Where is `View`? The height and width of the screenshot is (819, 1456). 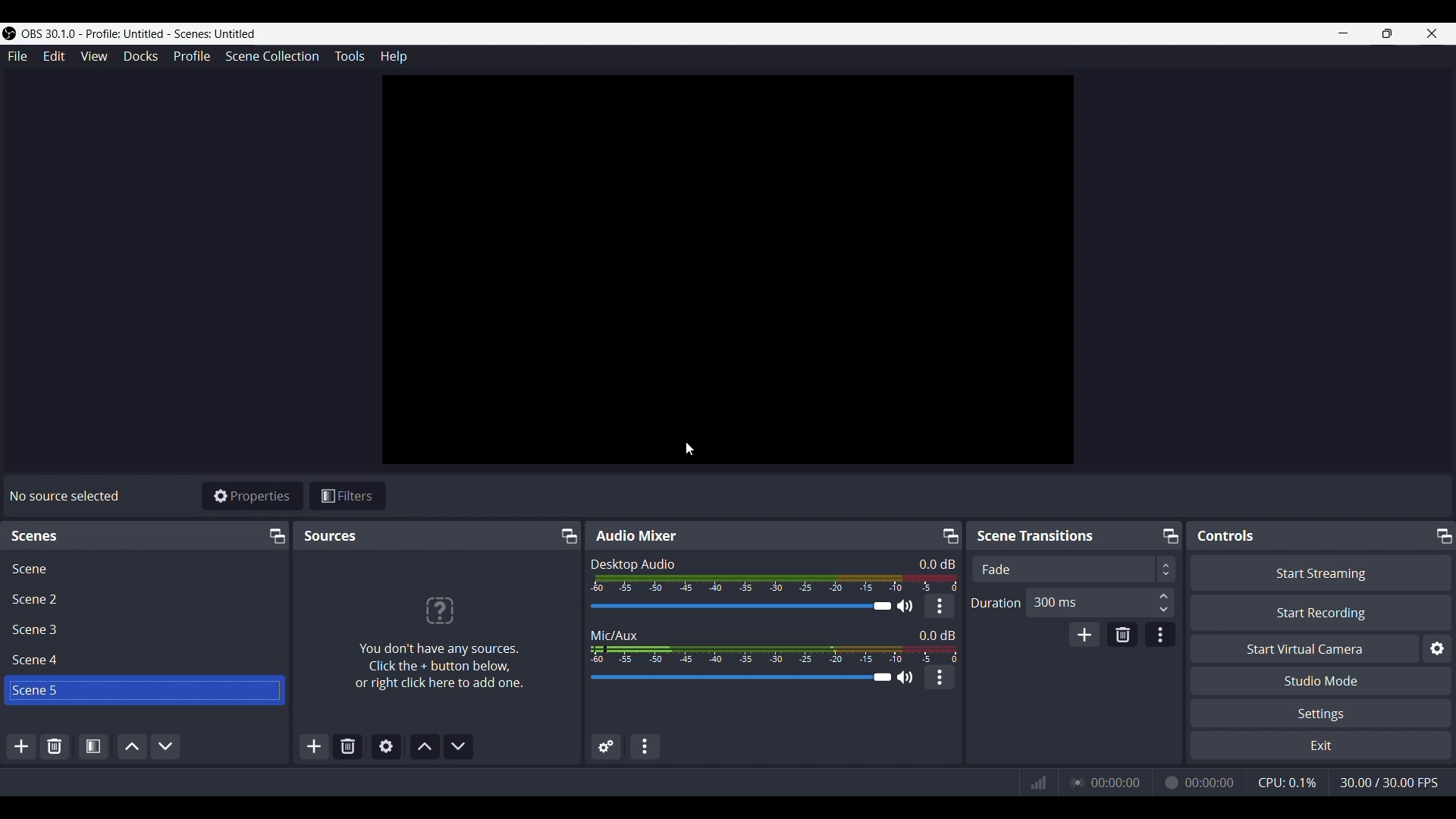 View is located at coordinates (94, 56).